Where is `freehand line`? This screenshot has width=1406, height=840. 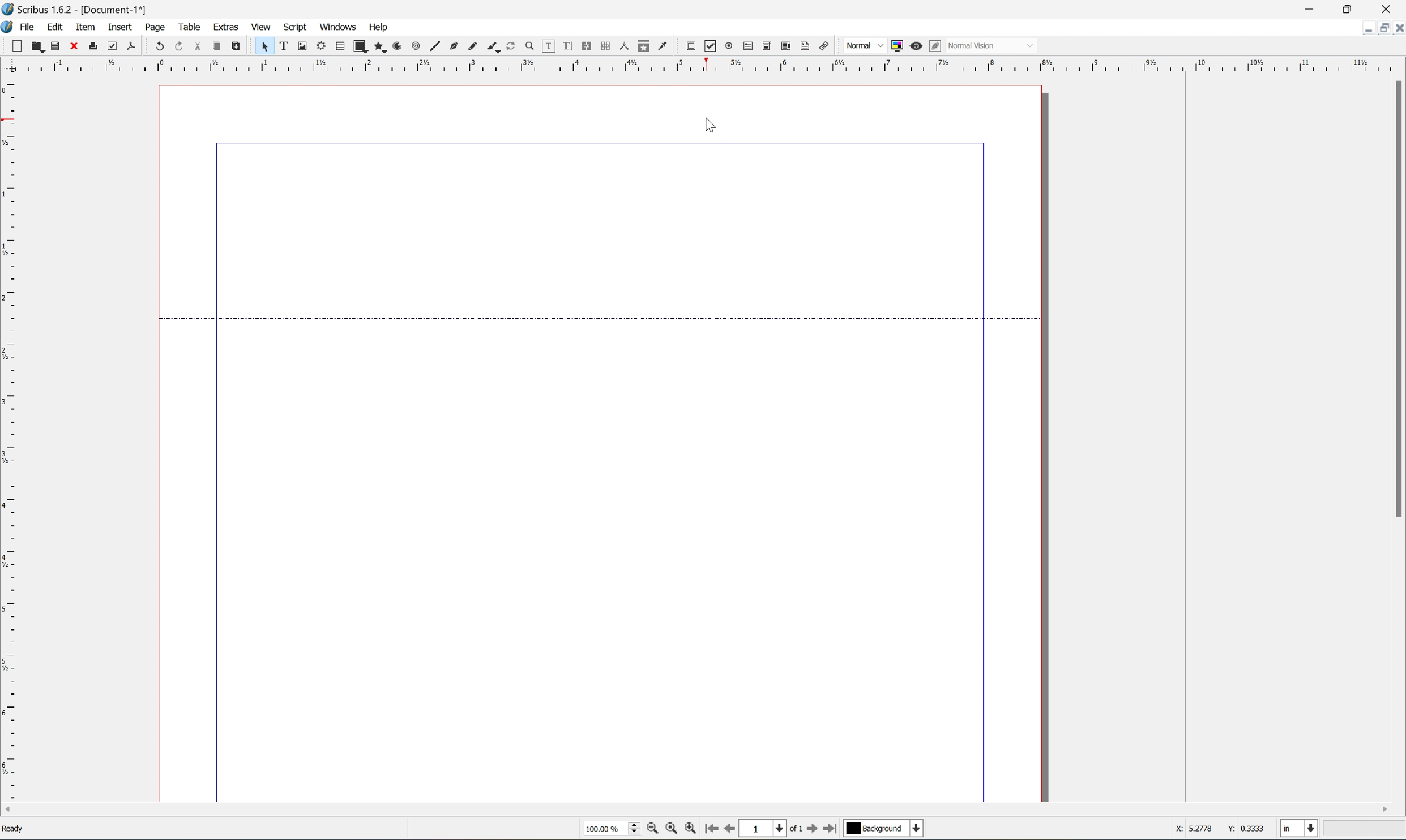
freehand line is located at coordinates (475, 46).